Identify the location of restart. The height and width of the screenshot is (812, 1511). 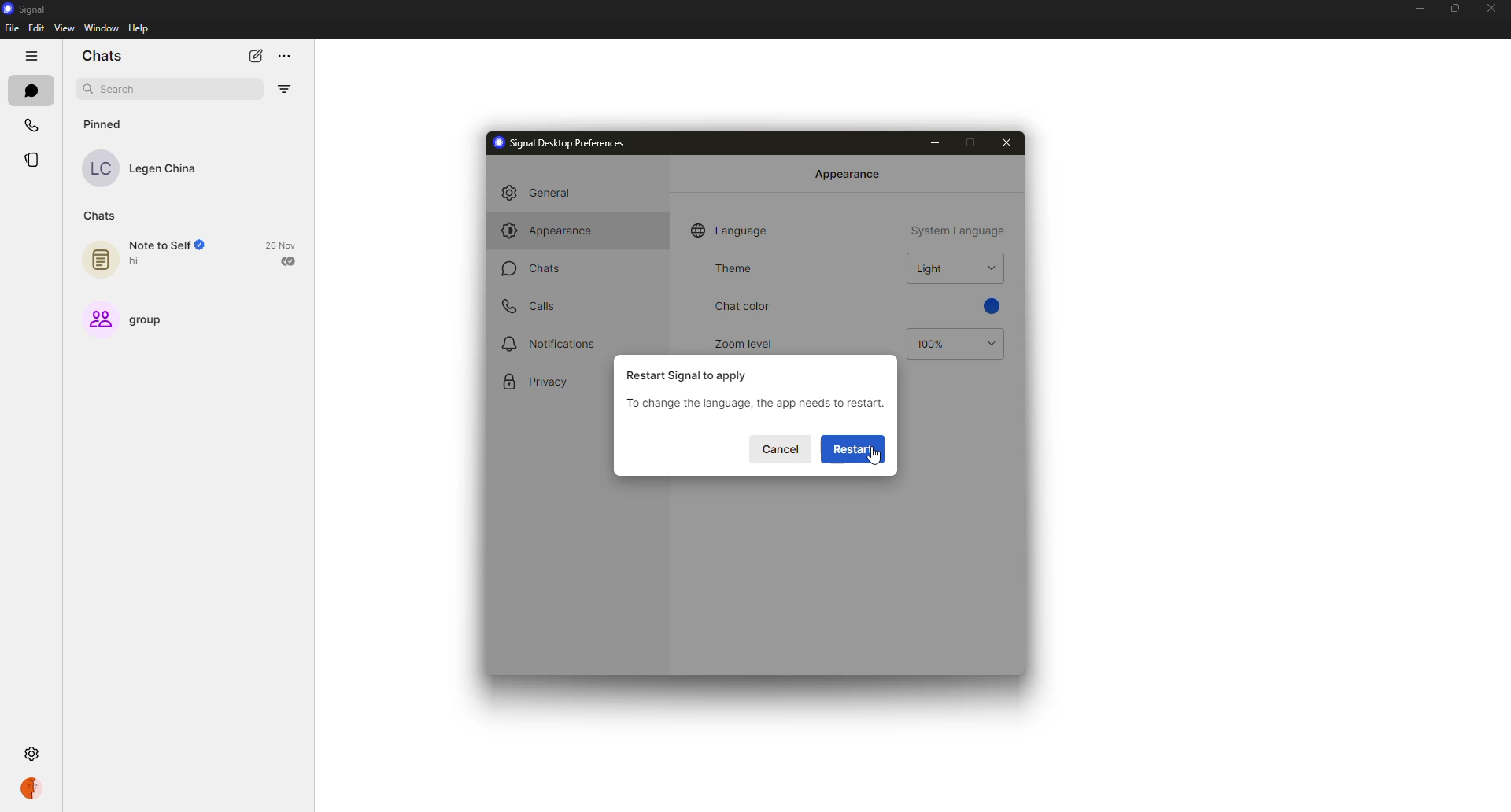
(855, 449).